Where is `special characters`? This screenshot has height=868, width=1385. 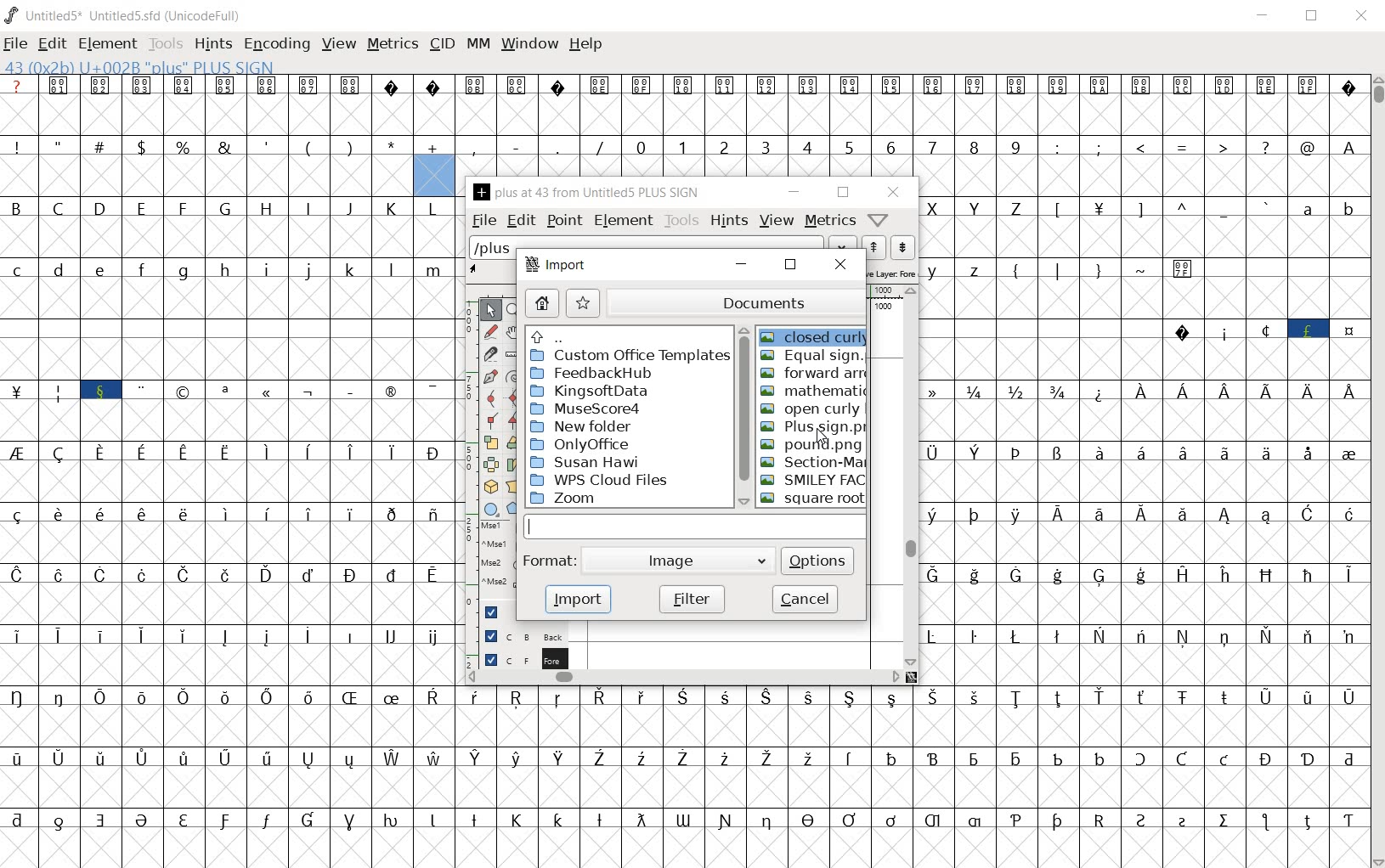 special characters is located at coordinates (293, 412).